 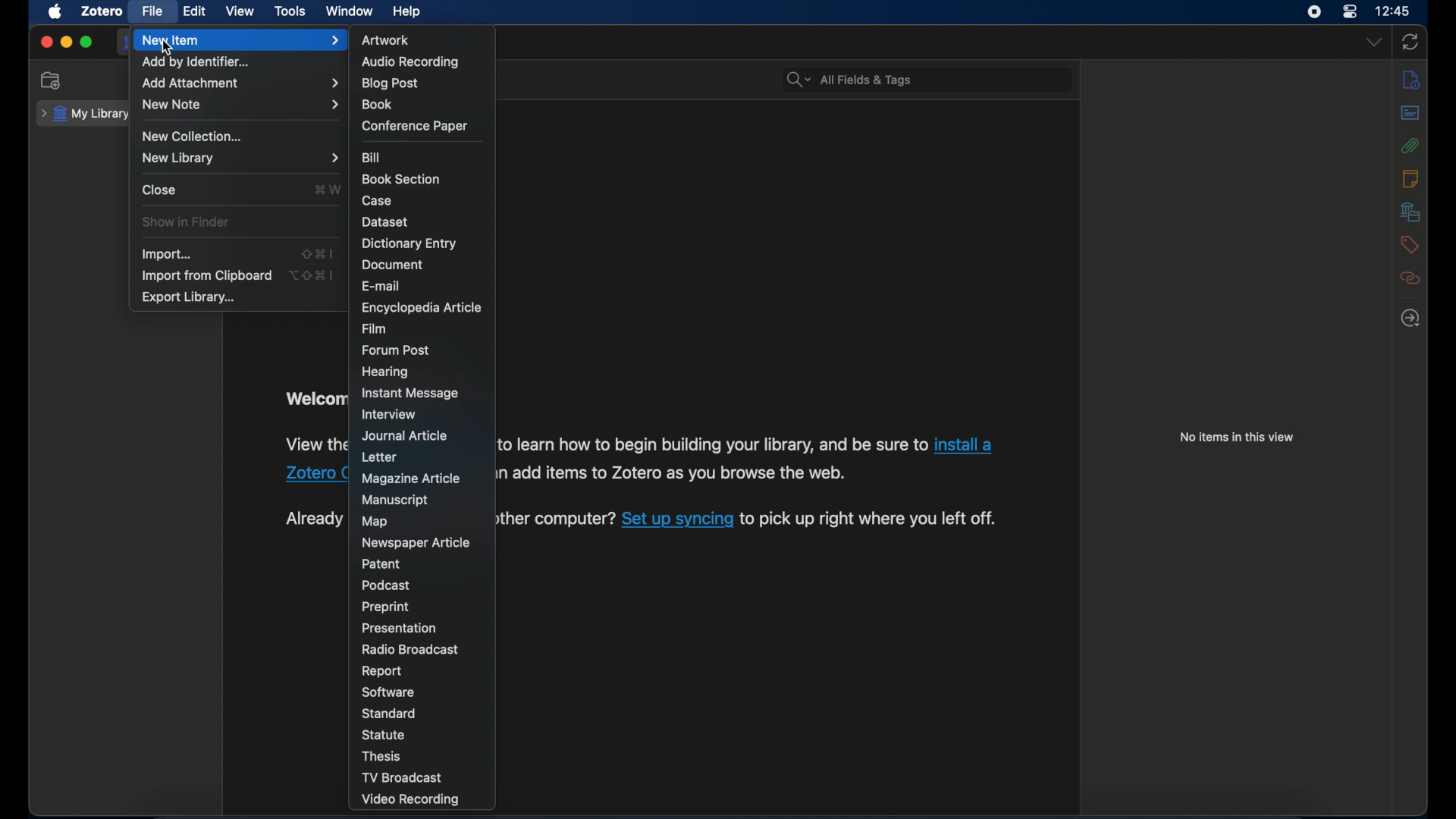 What do you see at coordinates (86, 115) in the screenshot?
I see `my library` at bounding box center [86, 115].